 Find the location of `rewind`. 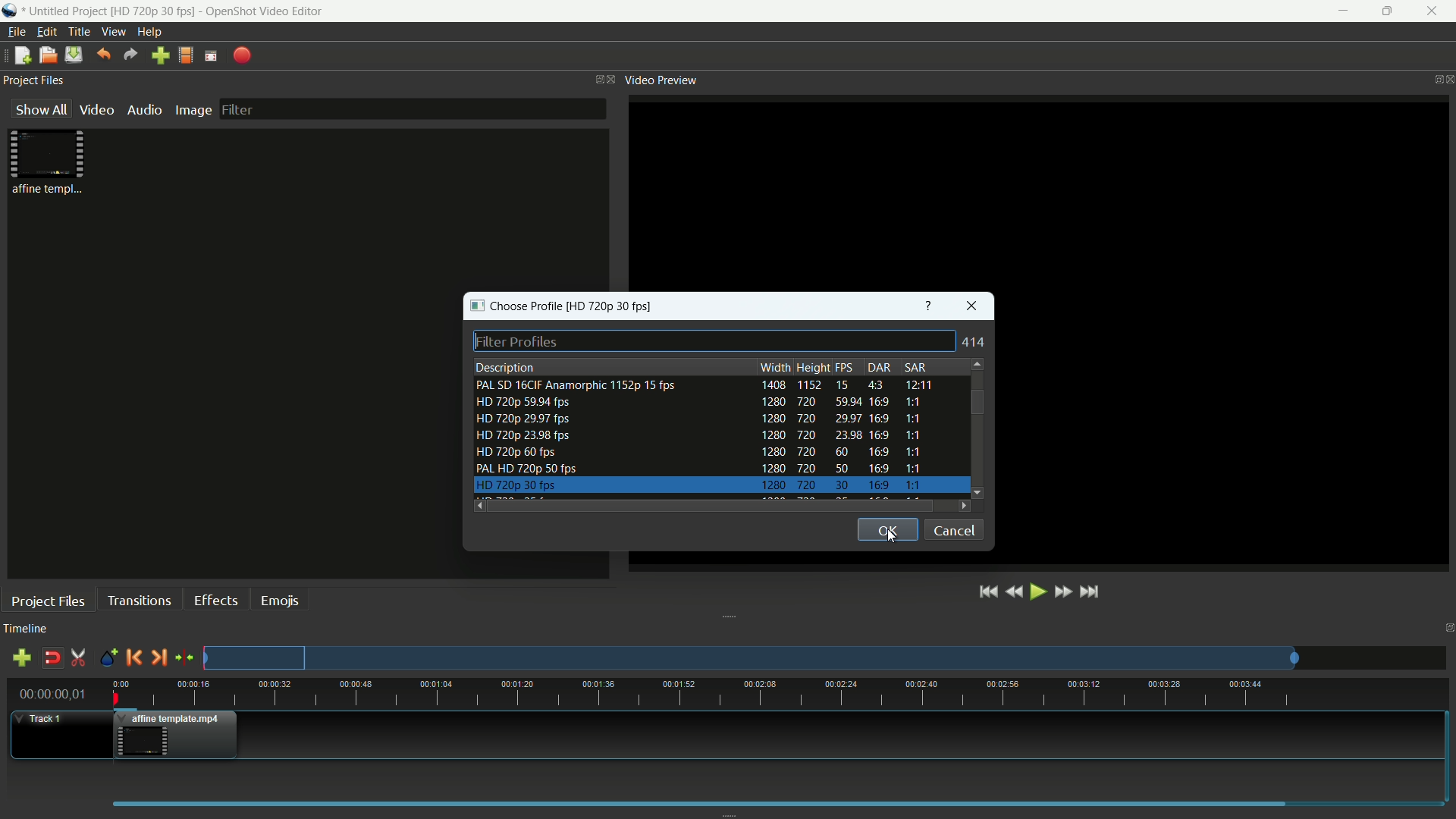

rewind is located at coordinates (1013, 591).